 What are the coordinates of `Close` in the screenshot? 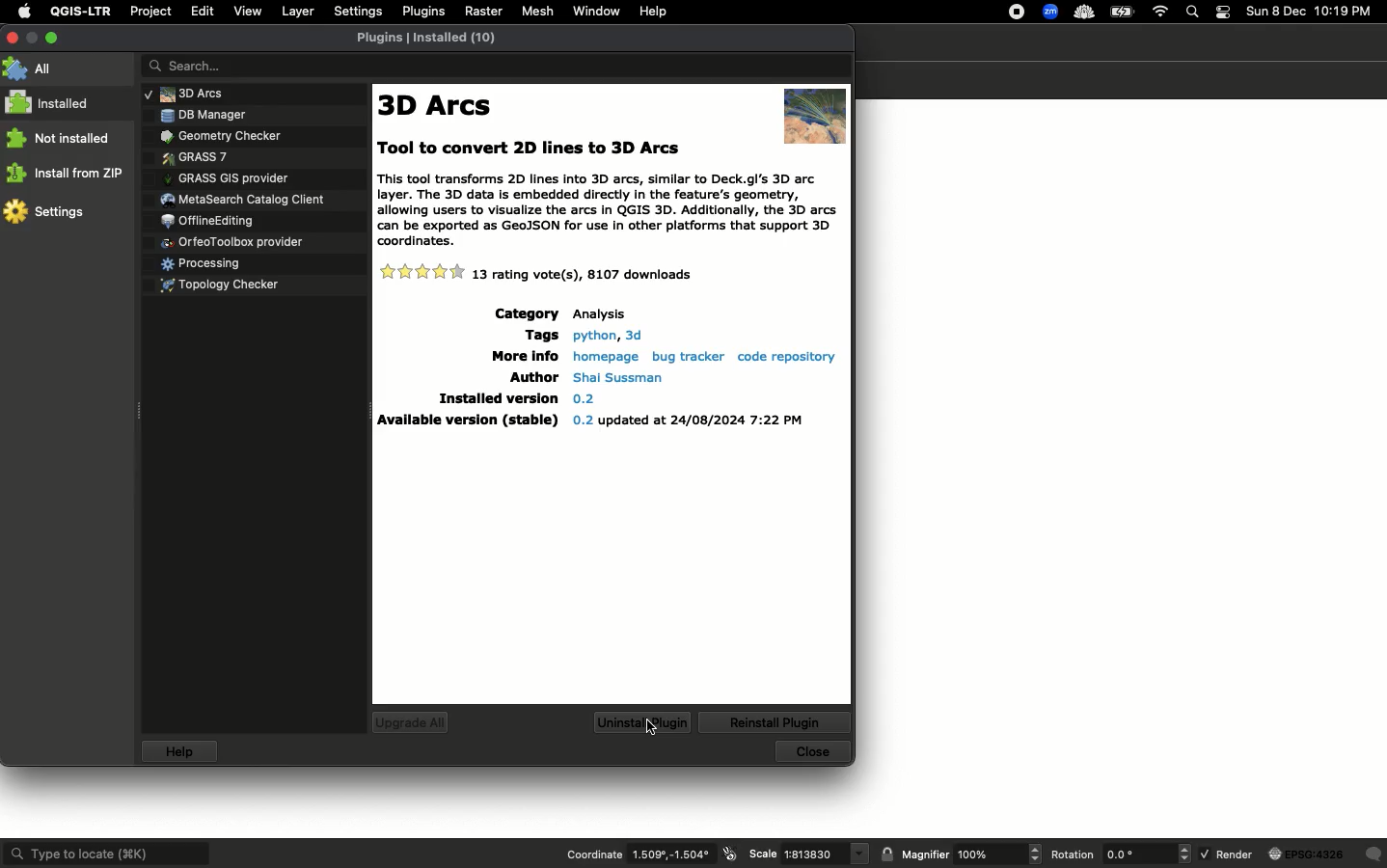 It's located at (810, 753).